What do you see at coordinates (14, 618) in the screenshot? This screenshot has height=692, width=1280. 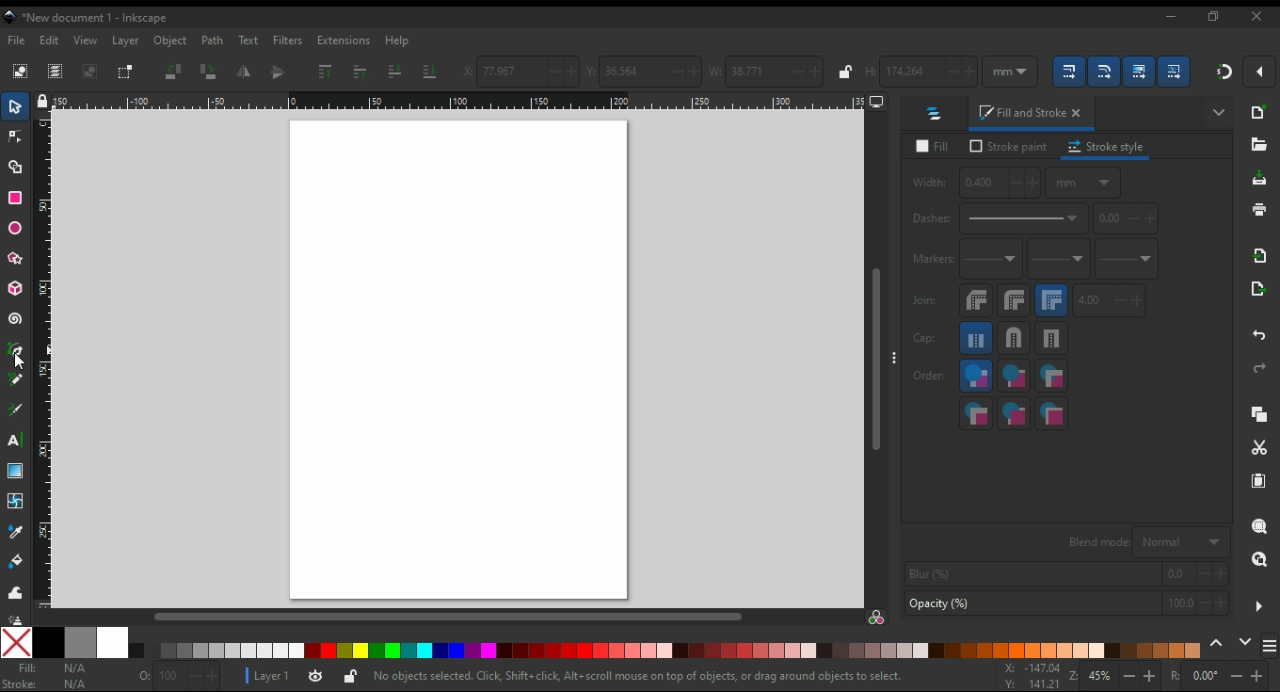 I see `spray tool` at bounding box center [14, 618].